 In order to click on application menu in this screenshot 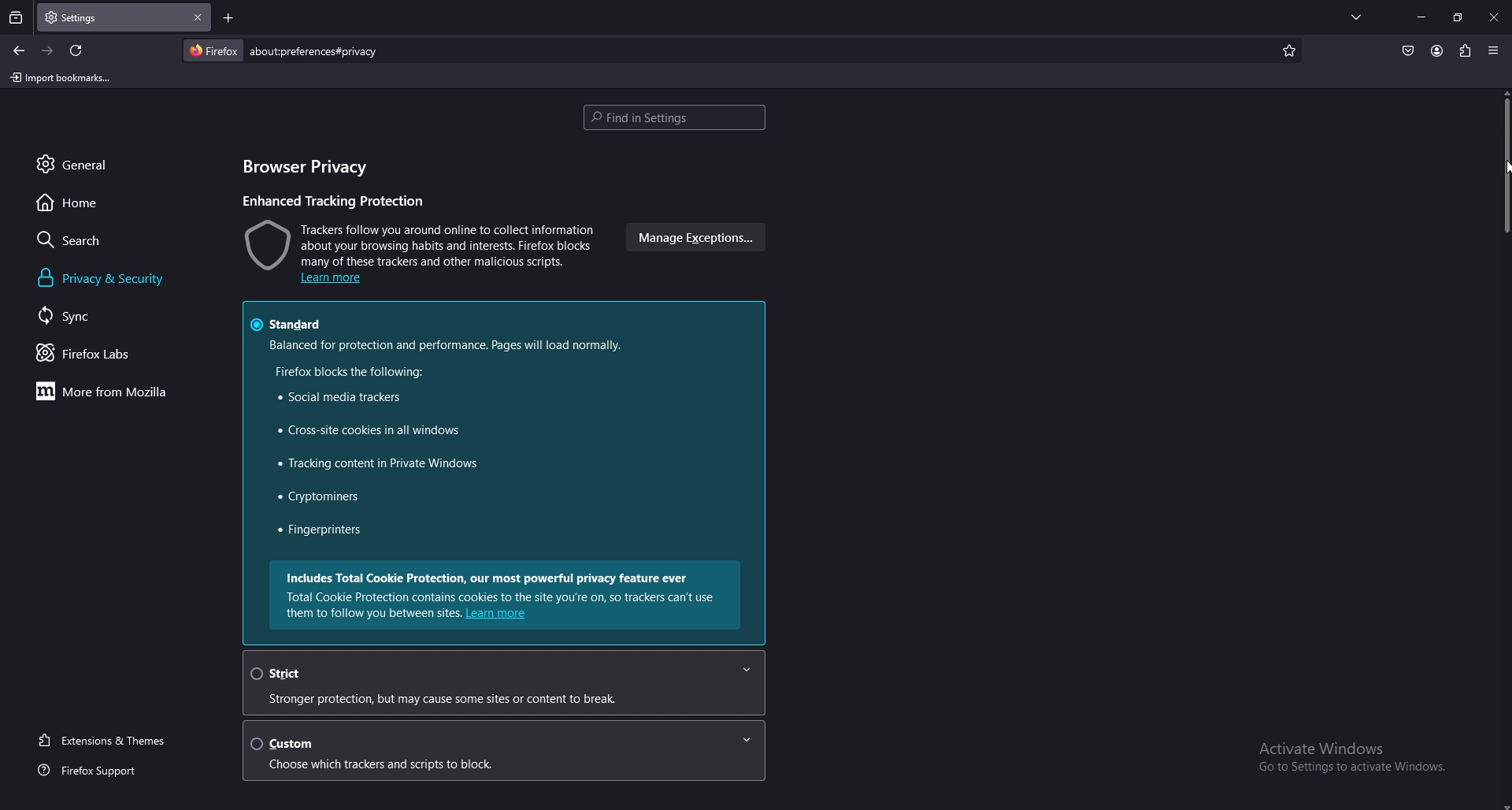, I will do `click(1494, 49)`.